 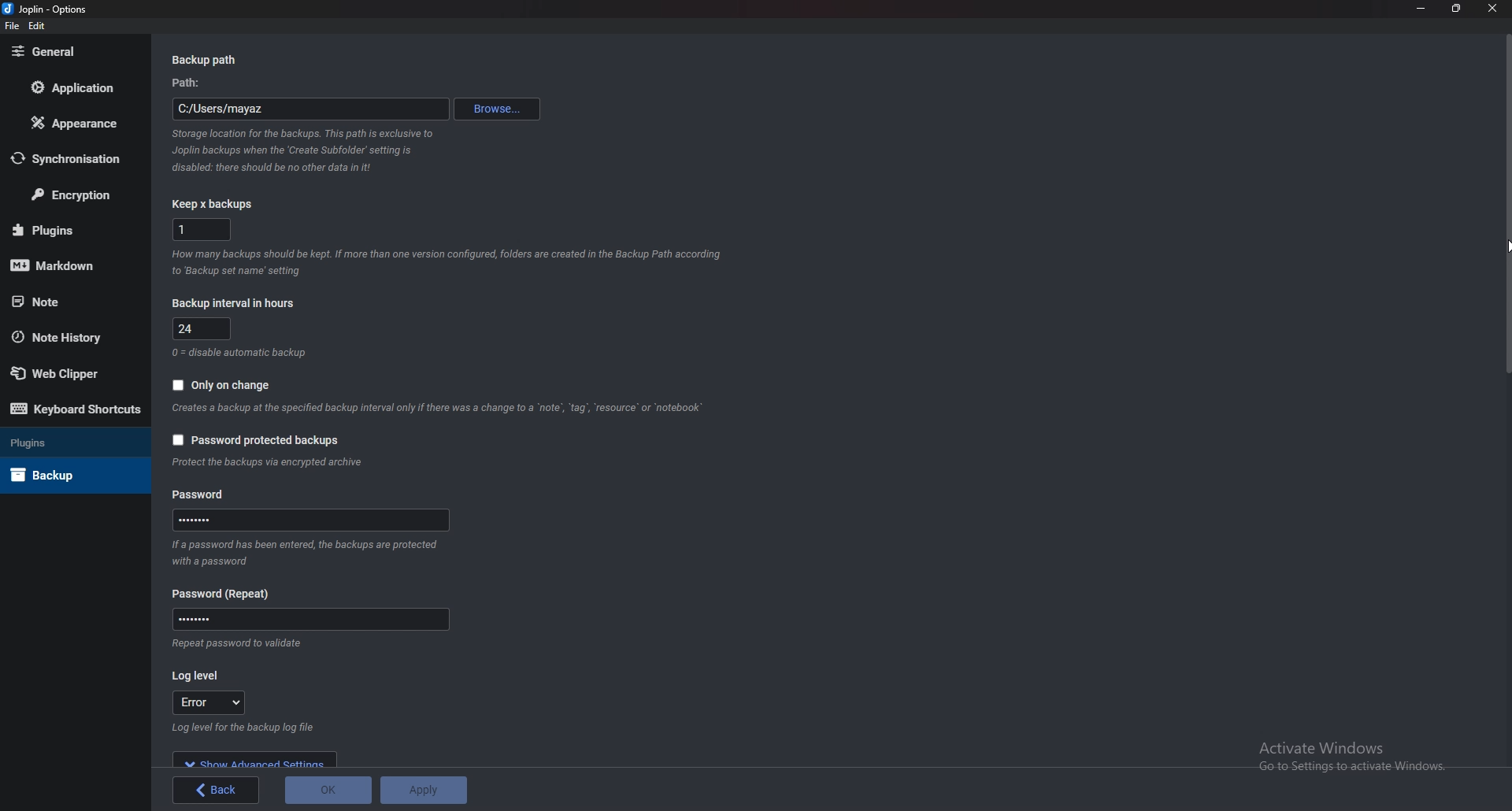 What do you see at coordinates (58, 475) in the screenshot?
I see `Back up` at bounding box center [58, 475].